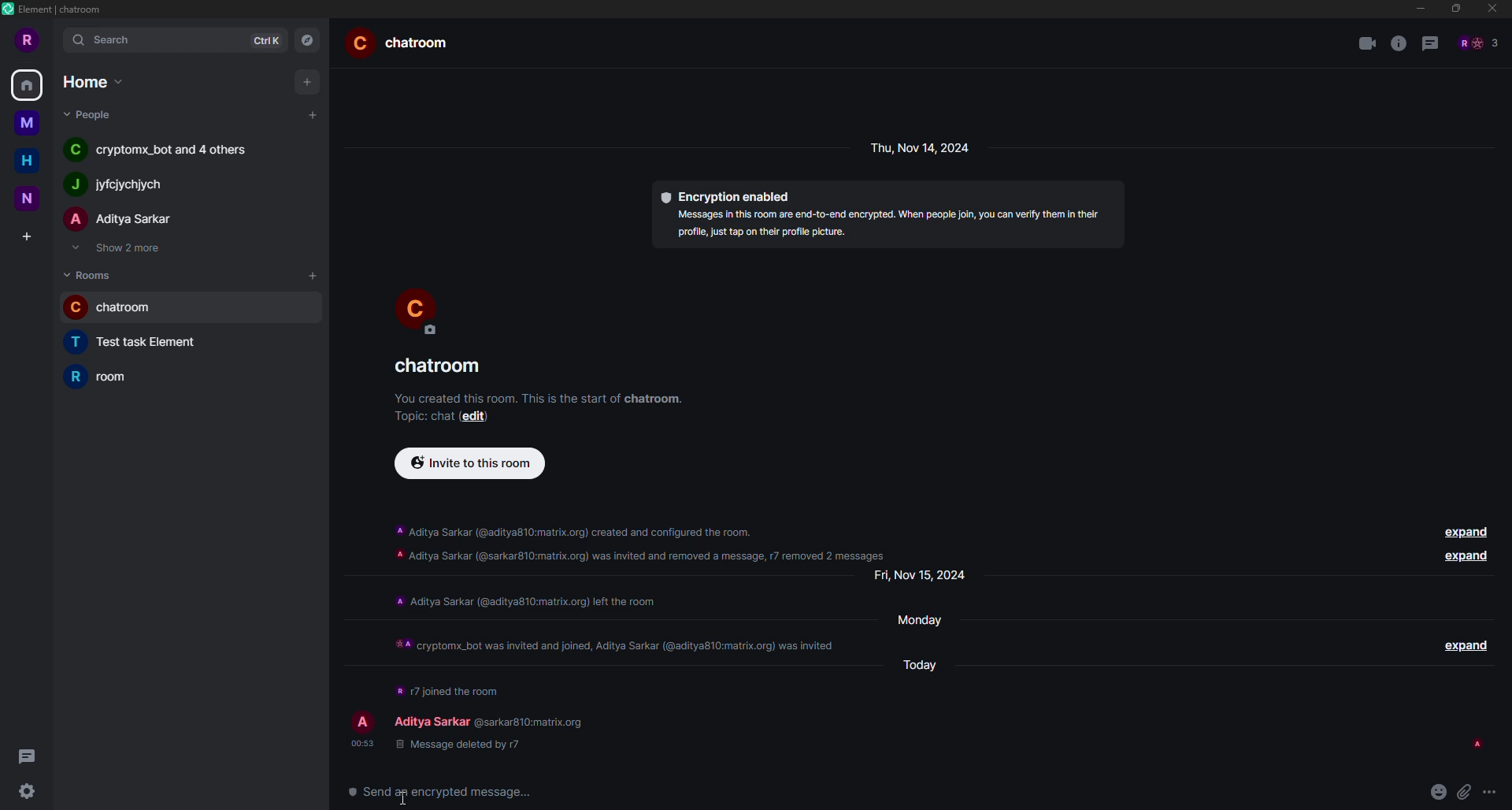 This screenshot has height=810, width=1512. What do you see at coordinates (1366, 43) in the screenshot?
I see `video call` at bounding box center [1366, 43].